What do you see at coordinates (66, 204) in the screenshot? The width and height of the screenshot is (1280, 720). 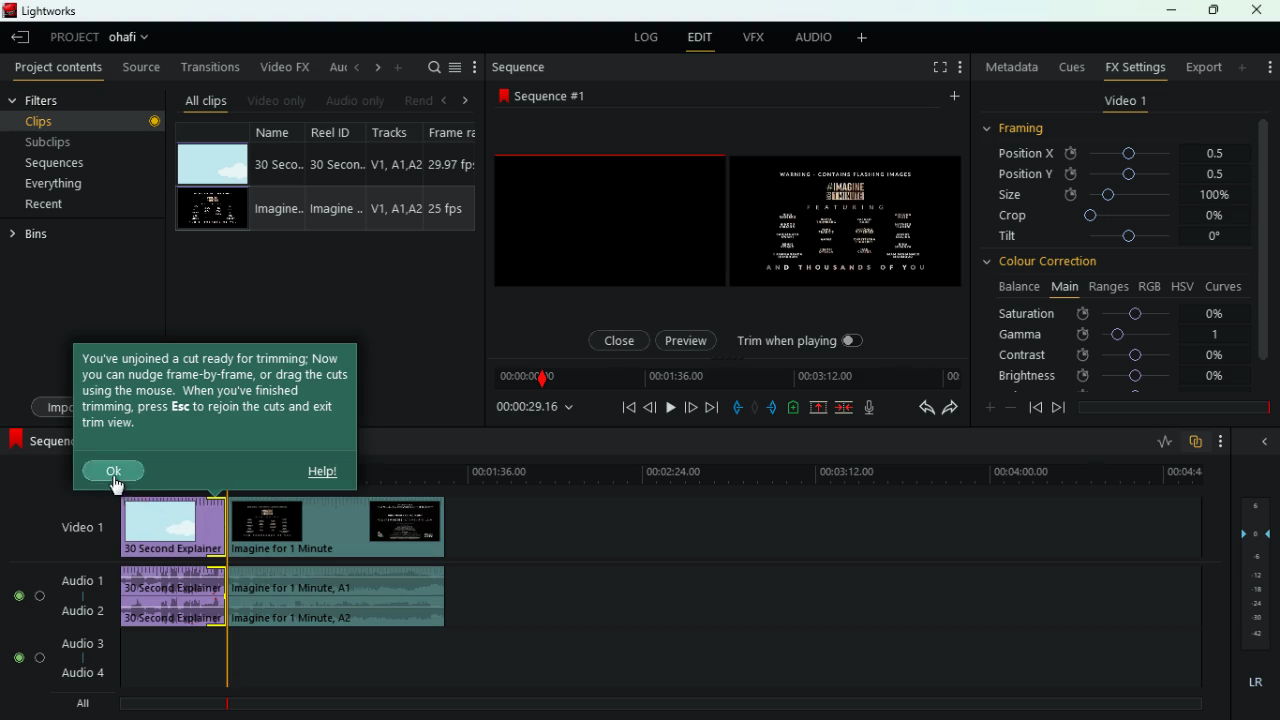 I see `recent` at bounding box center [66, 204].